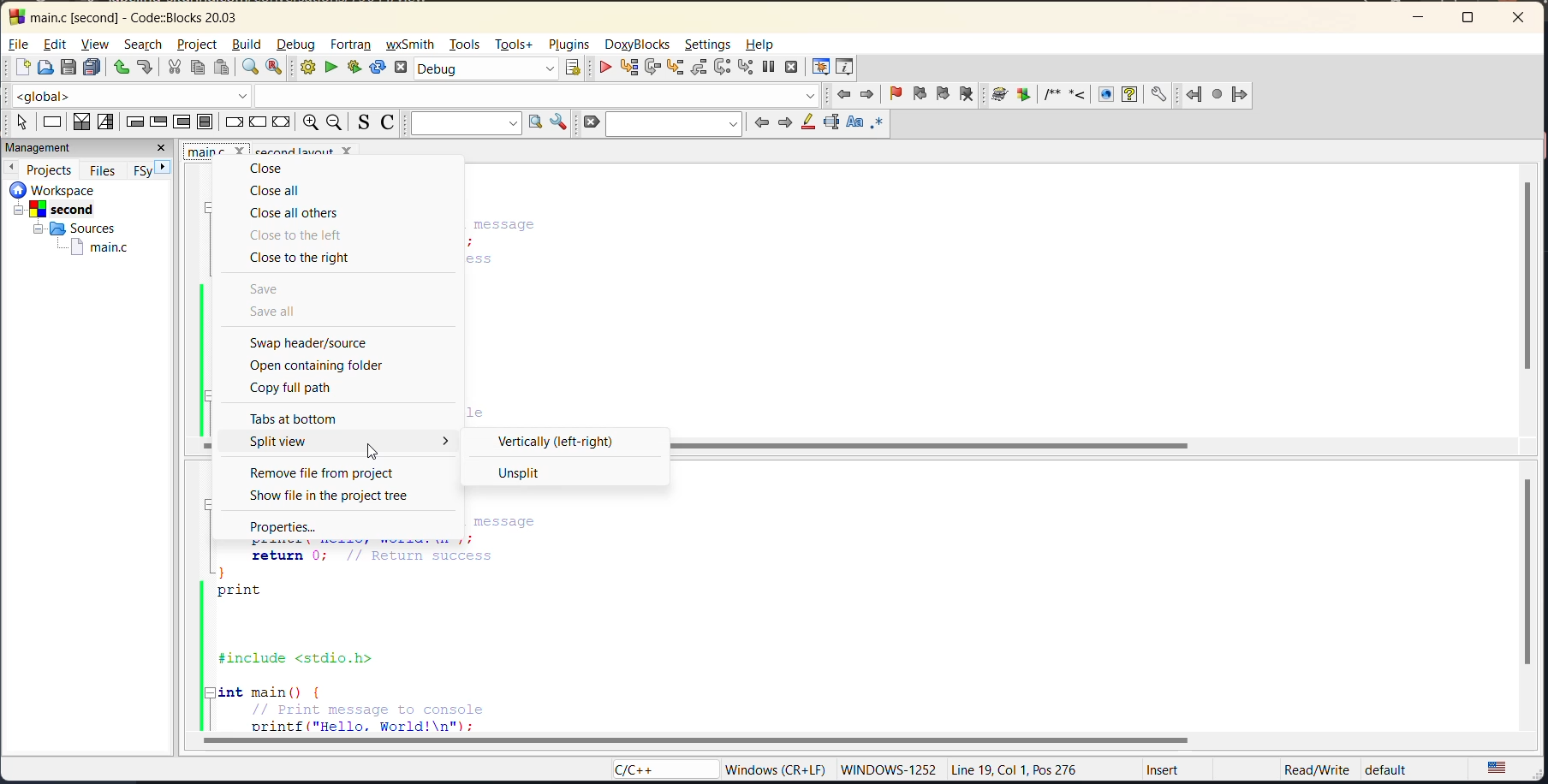 The image size is (1548, 784). What do you see at coordinates (747, 68) in the screenshot?
I see `step into instruction` at bounding box center [747, 68].